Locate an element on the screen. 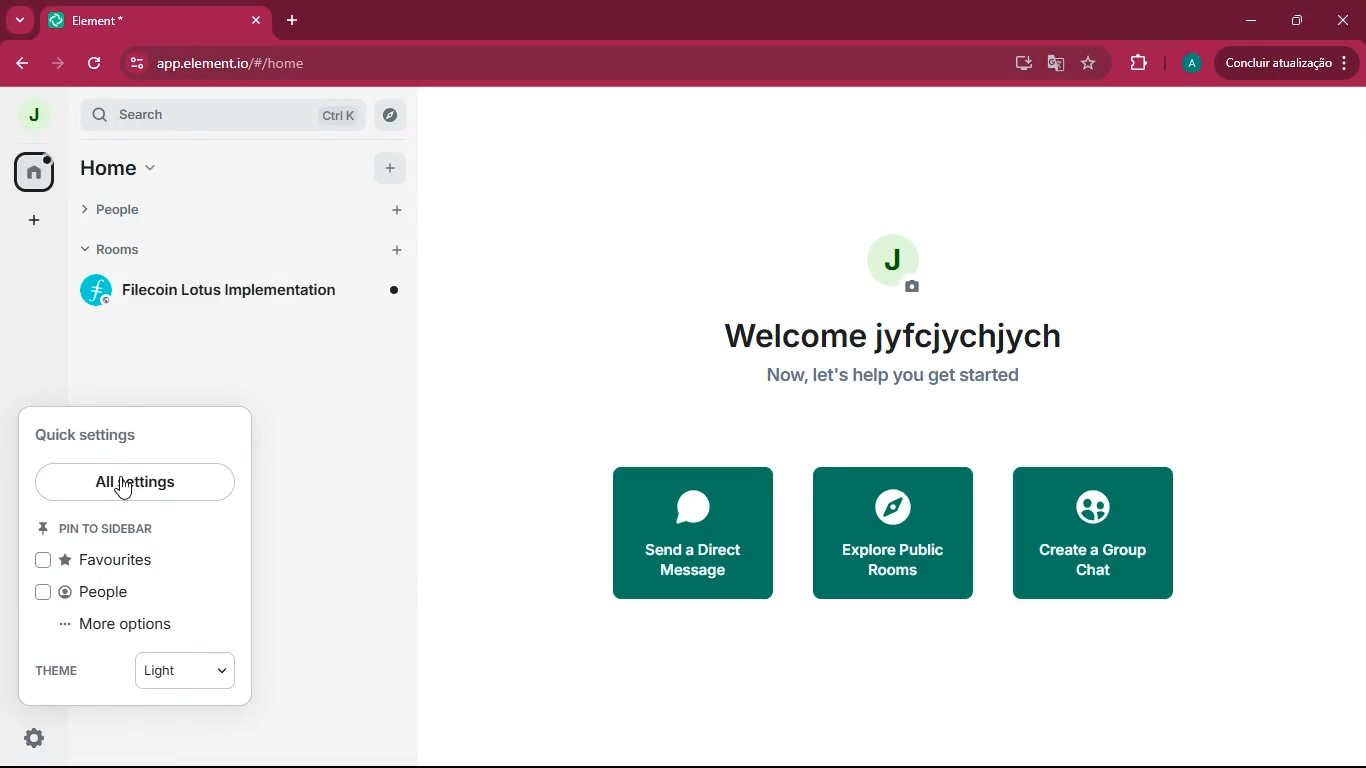 This screenshot has width=1366, height=768. add is located at coordinates (29, 220).